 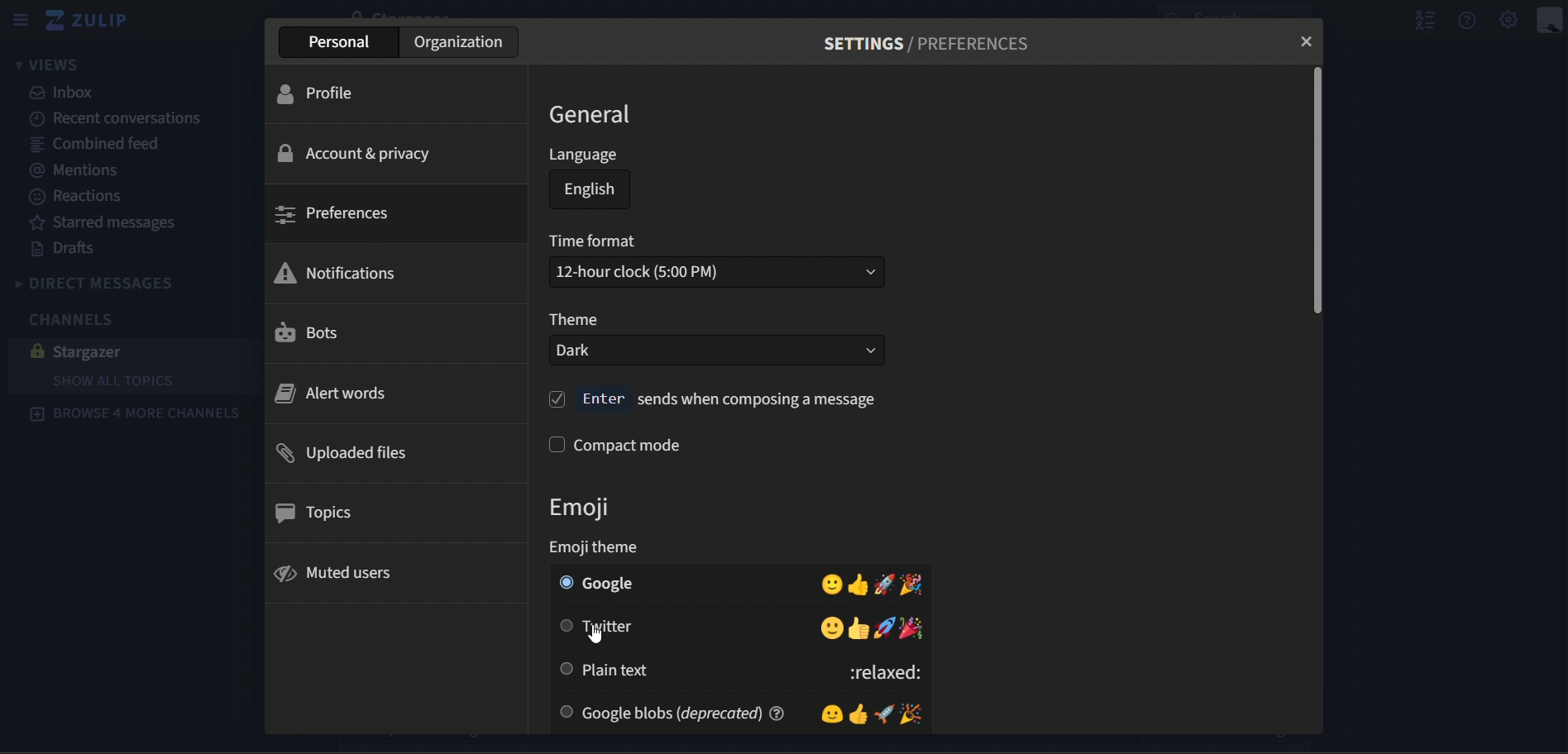 What do you see at coordinates (741, 583) in the screenshot?
I see `google` at bounding box center [741, 583].